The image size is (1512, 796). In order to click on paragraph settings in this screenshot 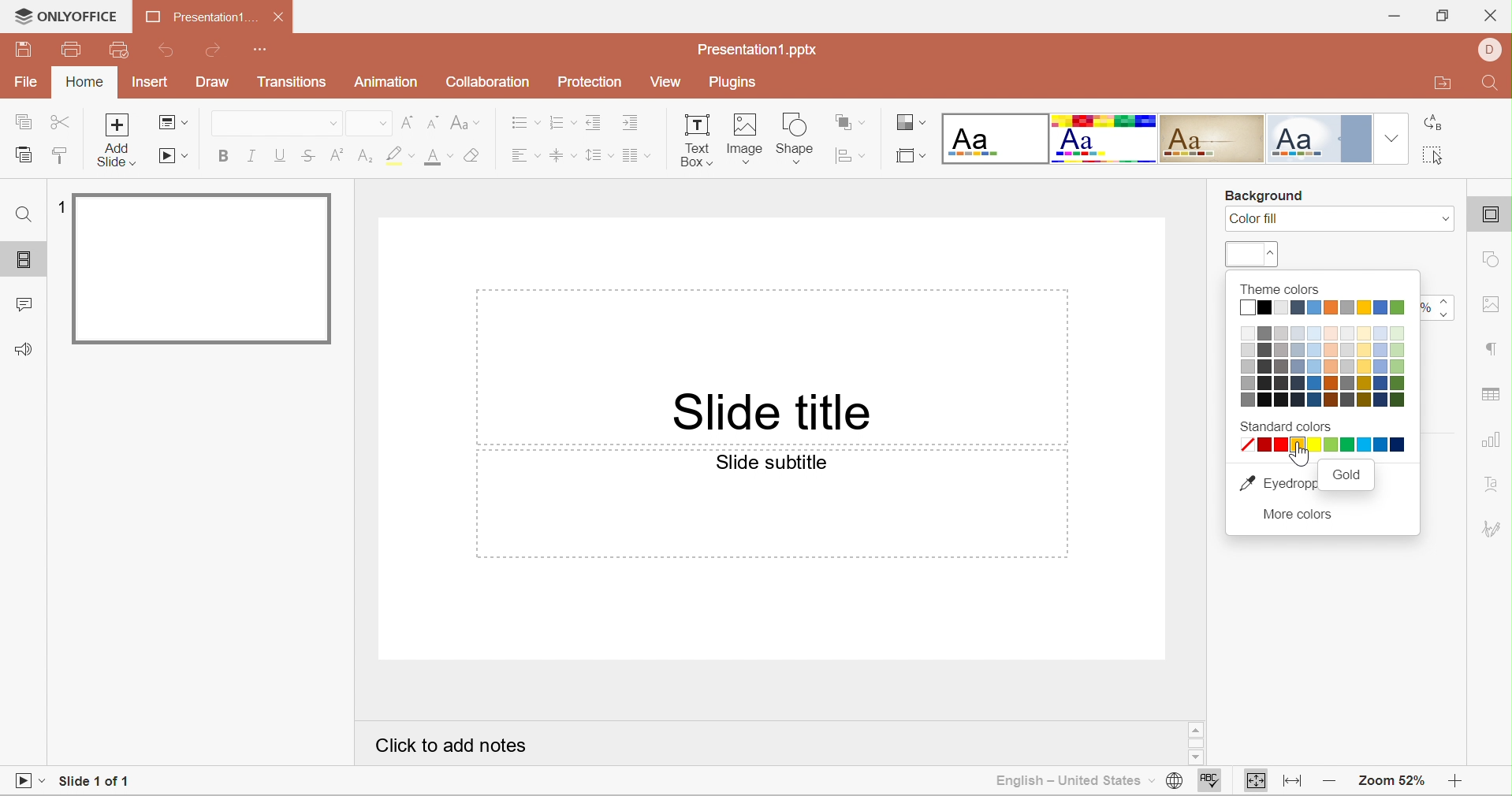, I will do `click(1490, 348)`.